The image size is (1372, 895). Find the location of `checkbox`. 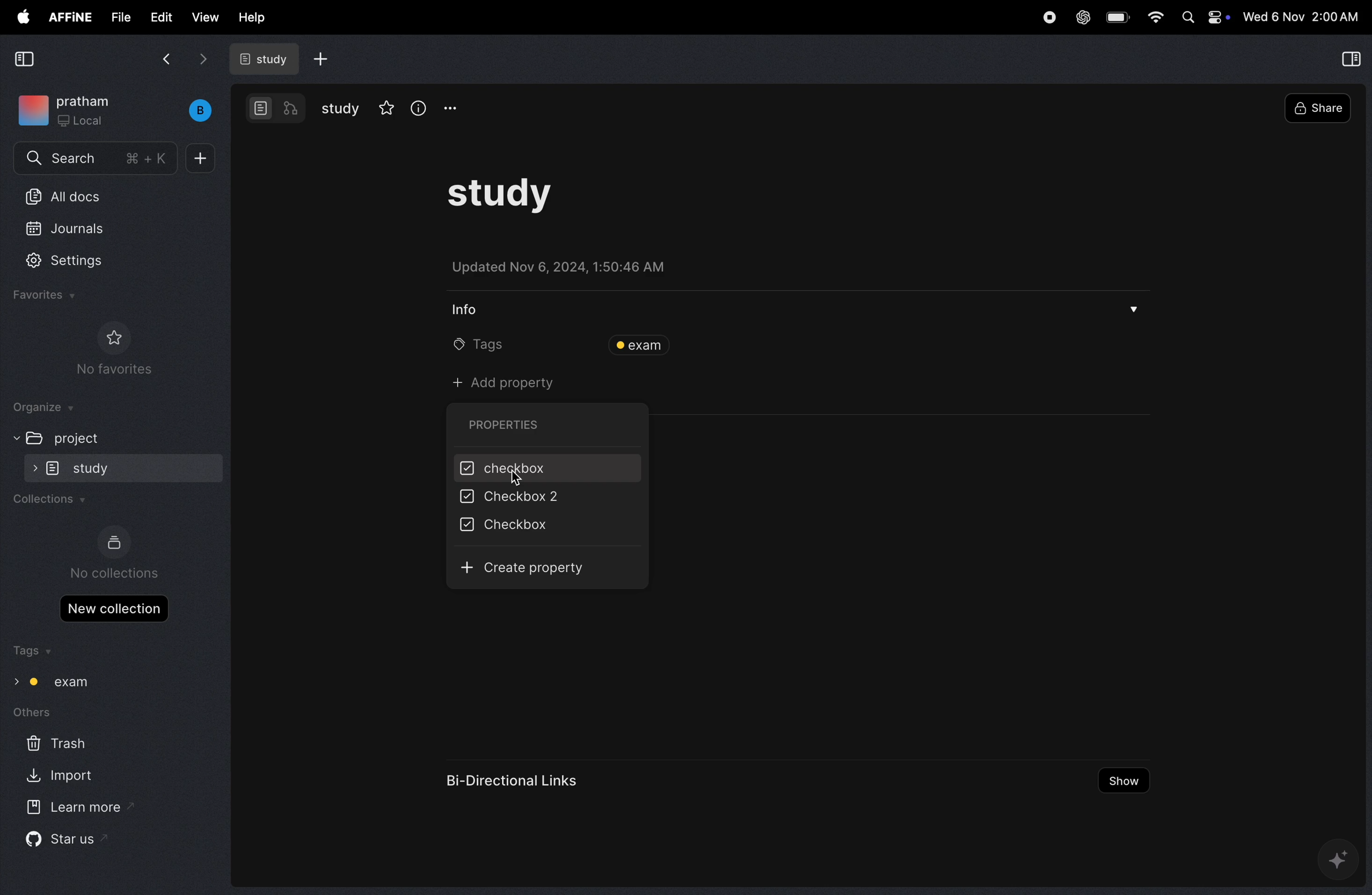

checkbox is located at coordinates (548, 468).